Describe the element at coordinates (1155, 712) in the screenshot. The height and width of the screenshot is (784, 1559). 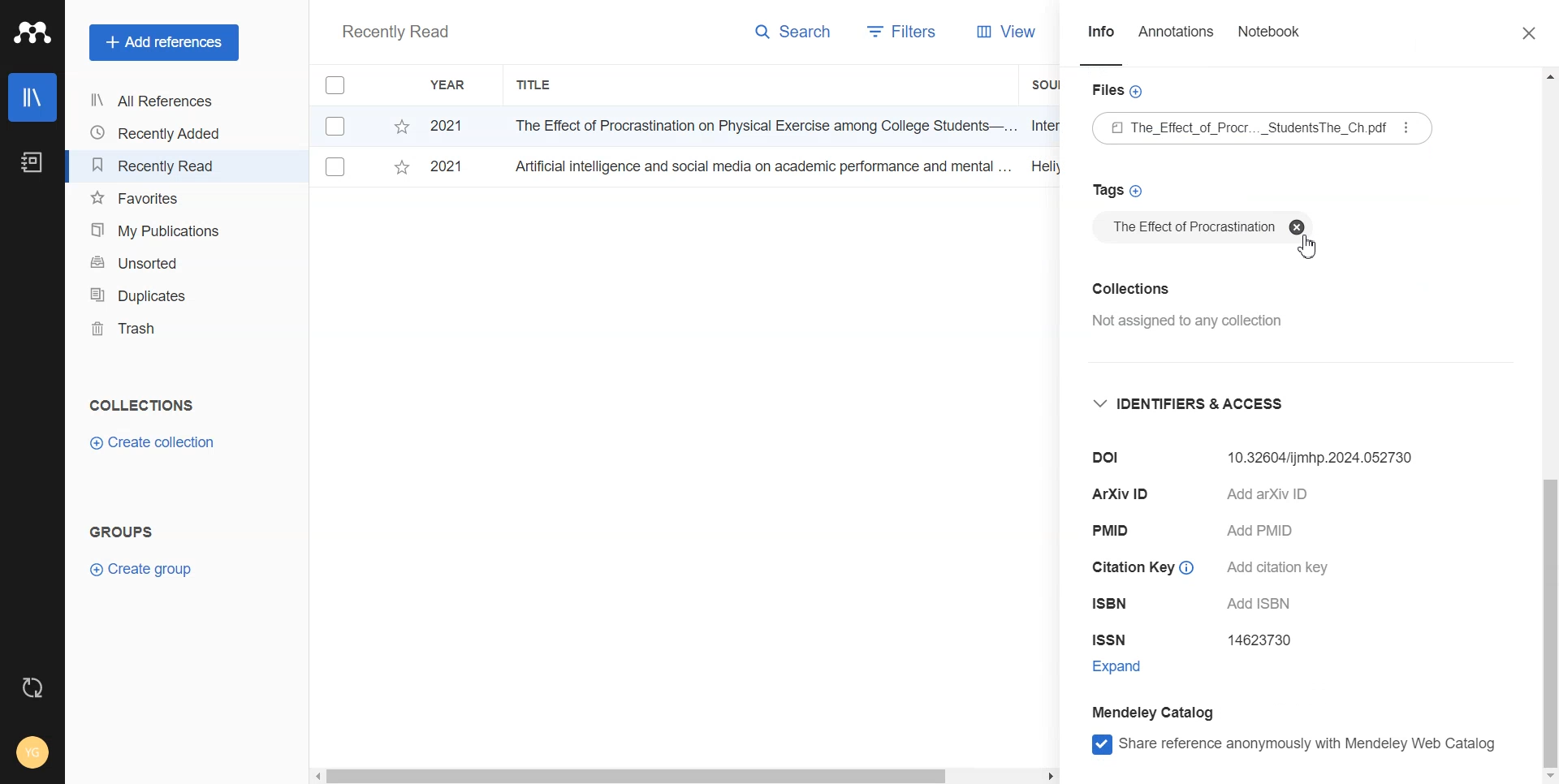
I see `Mendeley Catalog` at that location.